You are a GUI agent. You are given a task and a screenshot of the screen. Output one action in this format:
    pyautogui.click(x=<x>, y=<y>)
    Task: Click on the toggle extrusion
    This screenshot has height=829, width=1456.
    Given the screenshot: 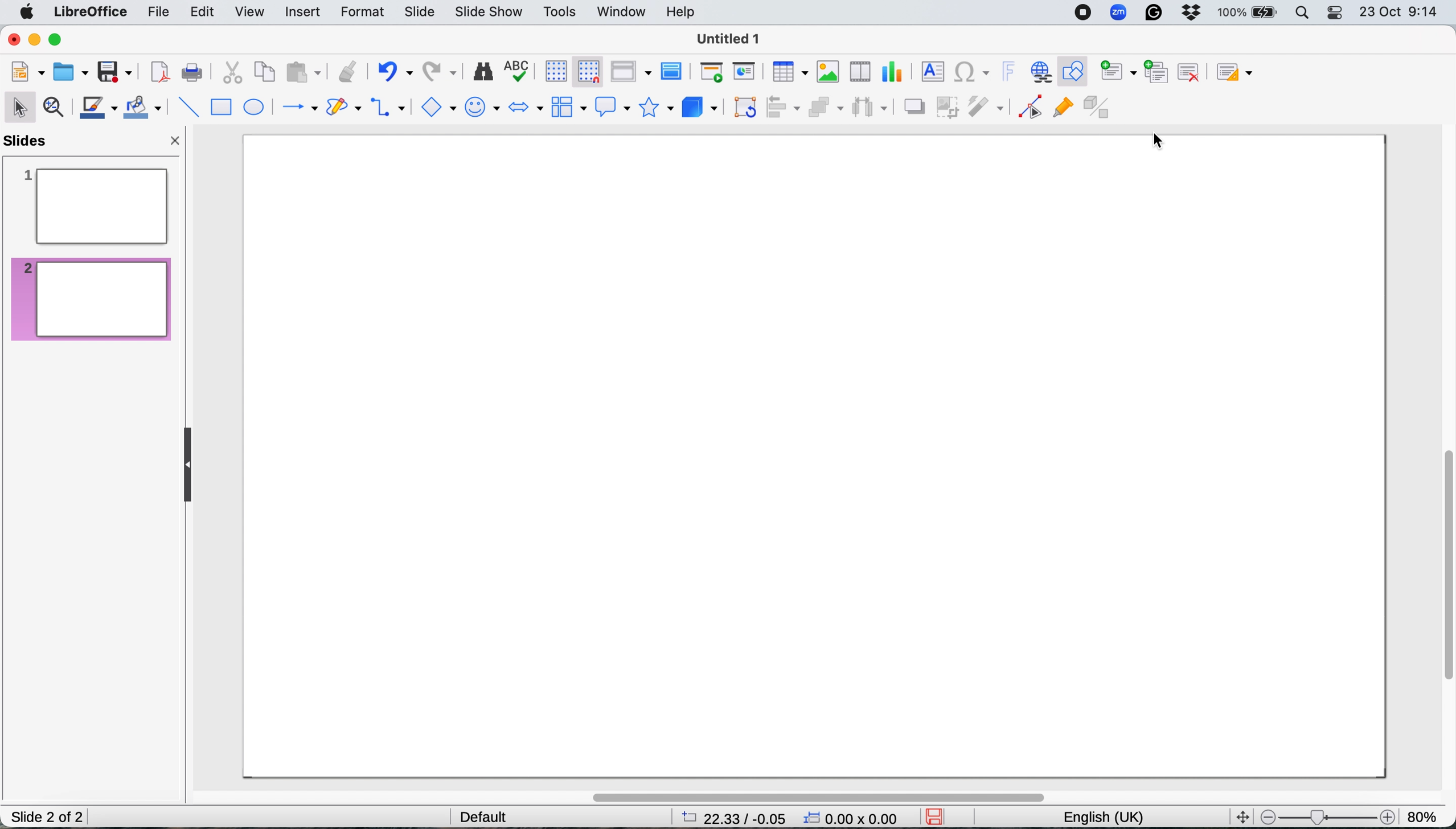 What is the action you would take?
    pyautogui.click(x=1098, y=108)
    